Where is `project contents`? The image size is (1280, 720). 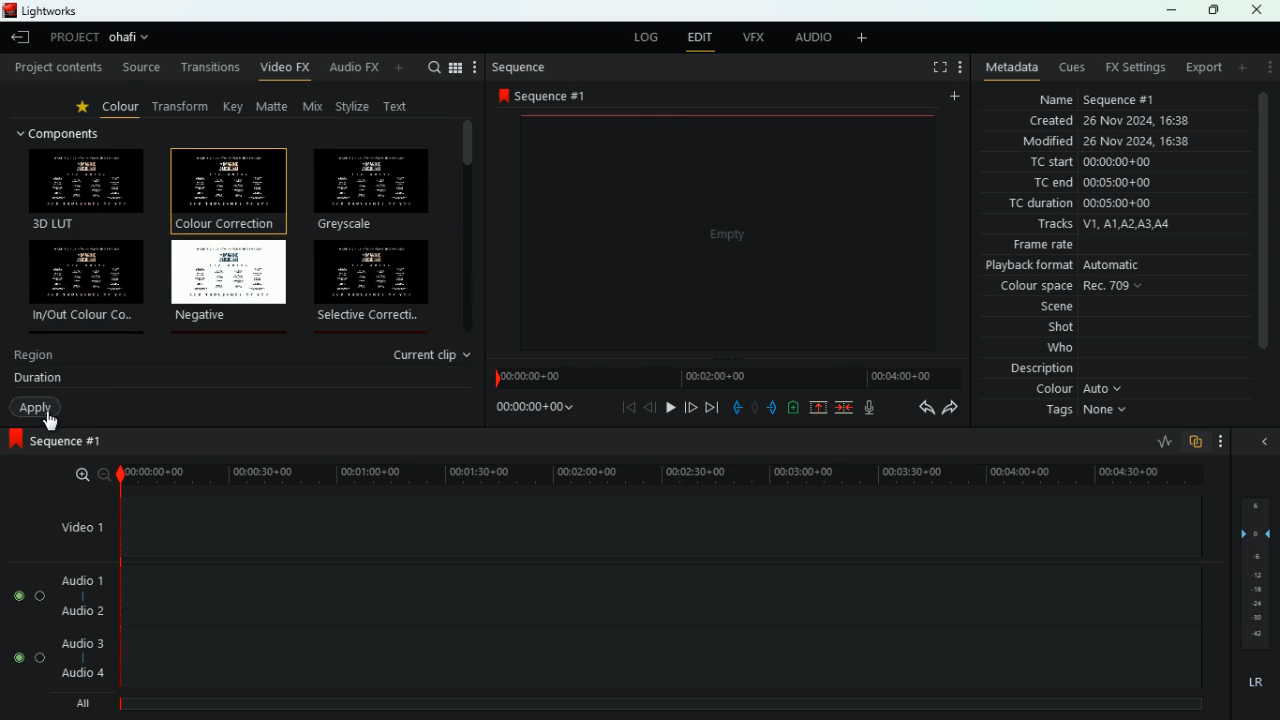 project contents is located at coordinates (57, 68).